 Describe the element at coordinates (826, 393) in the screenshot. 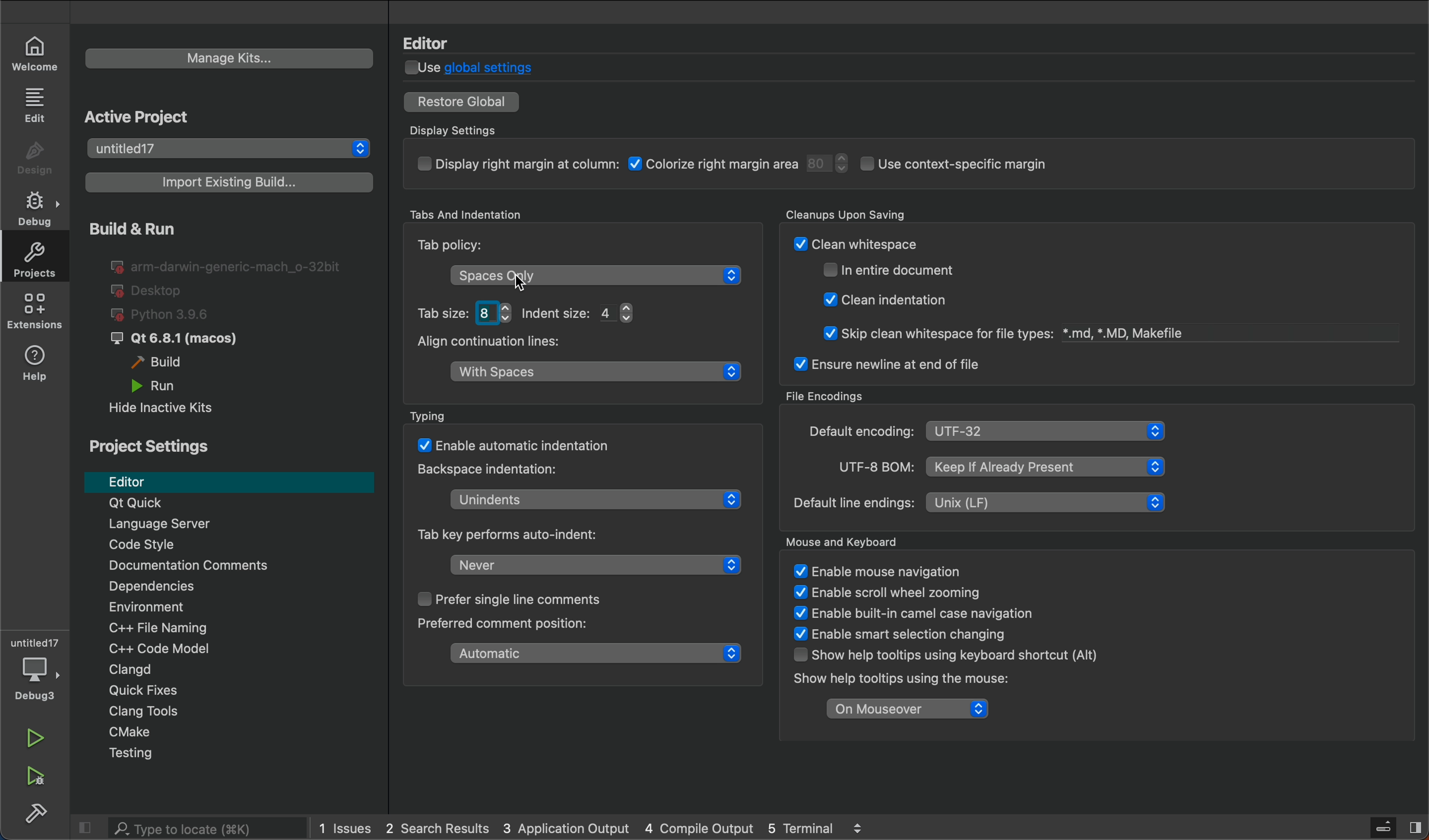

I see `File Encodings` at that location.